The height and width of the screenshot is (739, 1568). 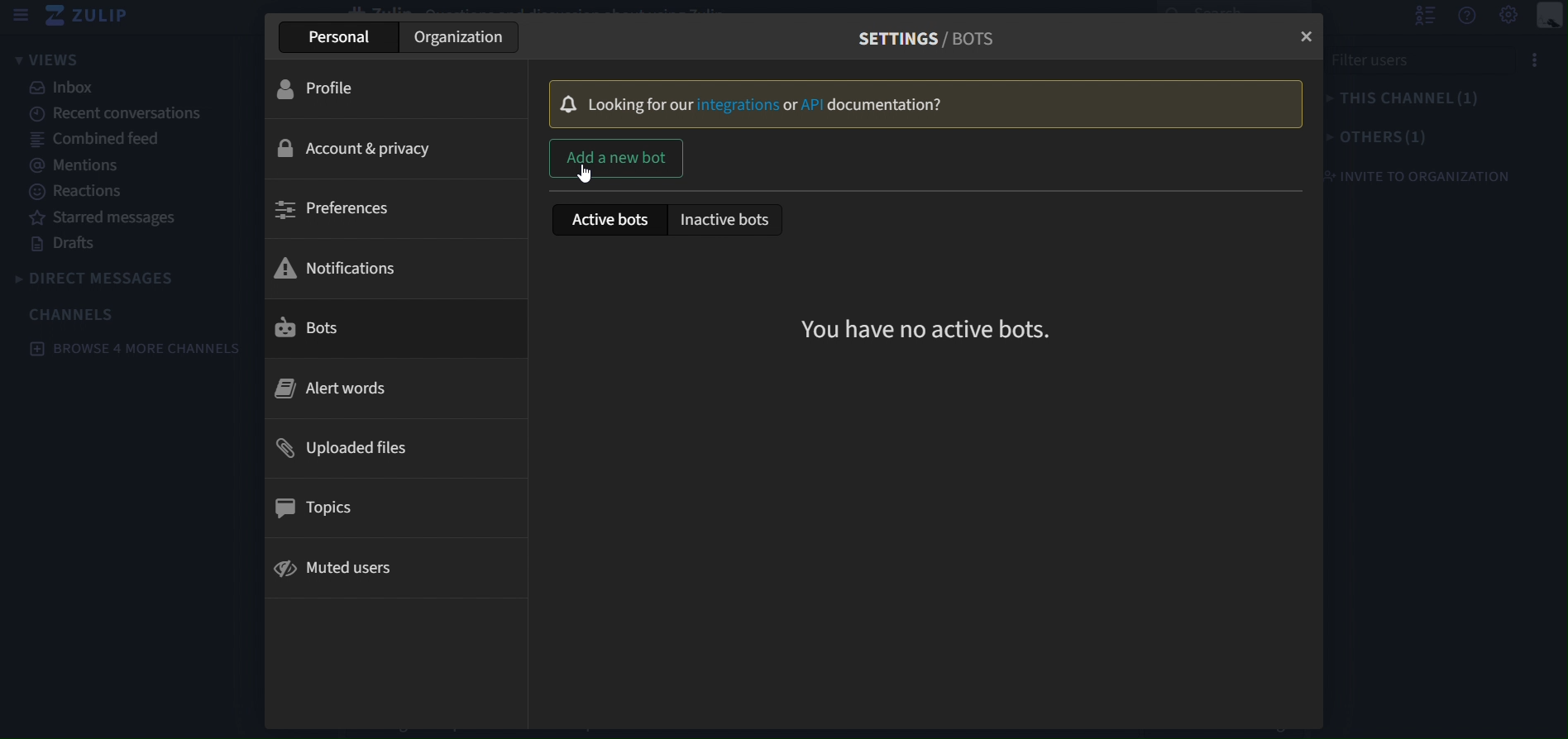 What do you see at coordinates (739, 104) in the screenshot?
I see `Integration` at bounding box center [739, 104].